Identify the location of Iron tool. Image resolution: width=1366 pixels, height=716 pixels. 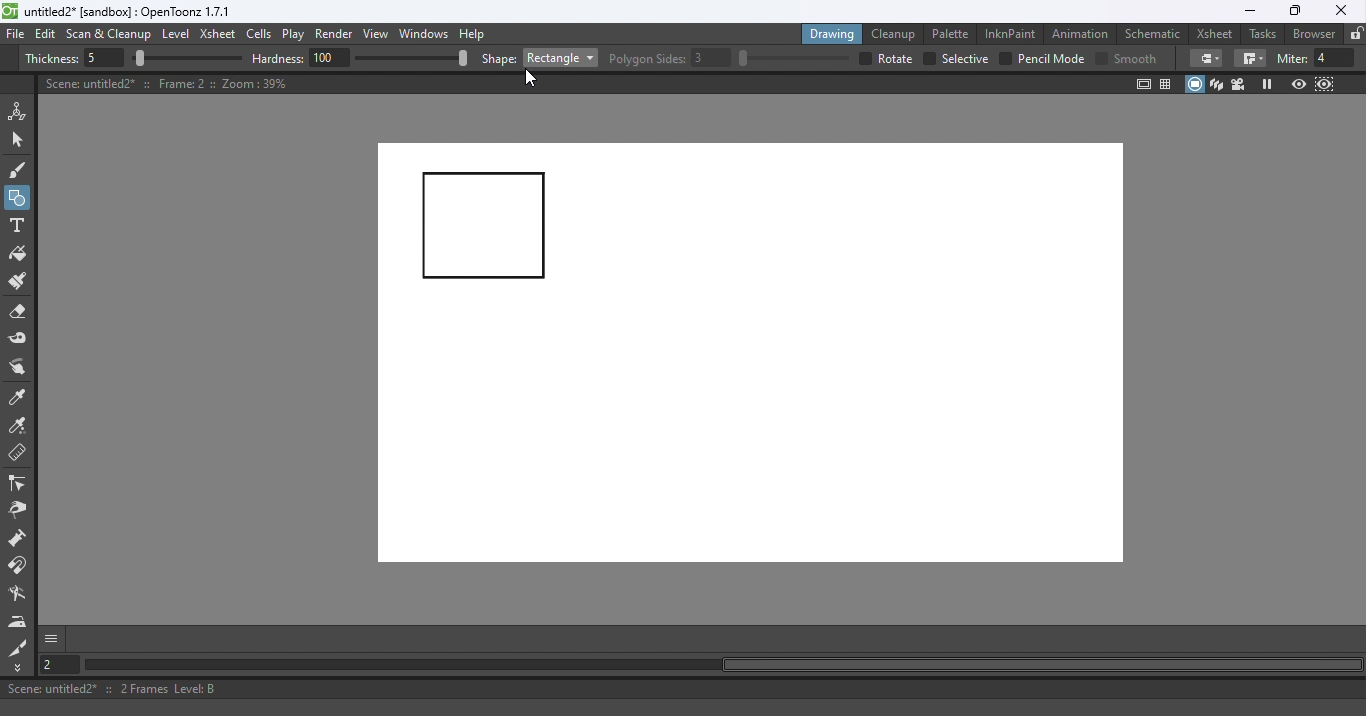
(20, 621).